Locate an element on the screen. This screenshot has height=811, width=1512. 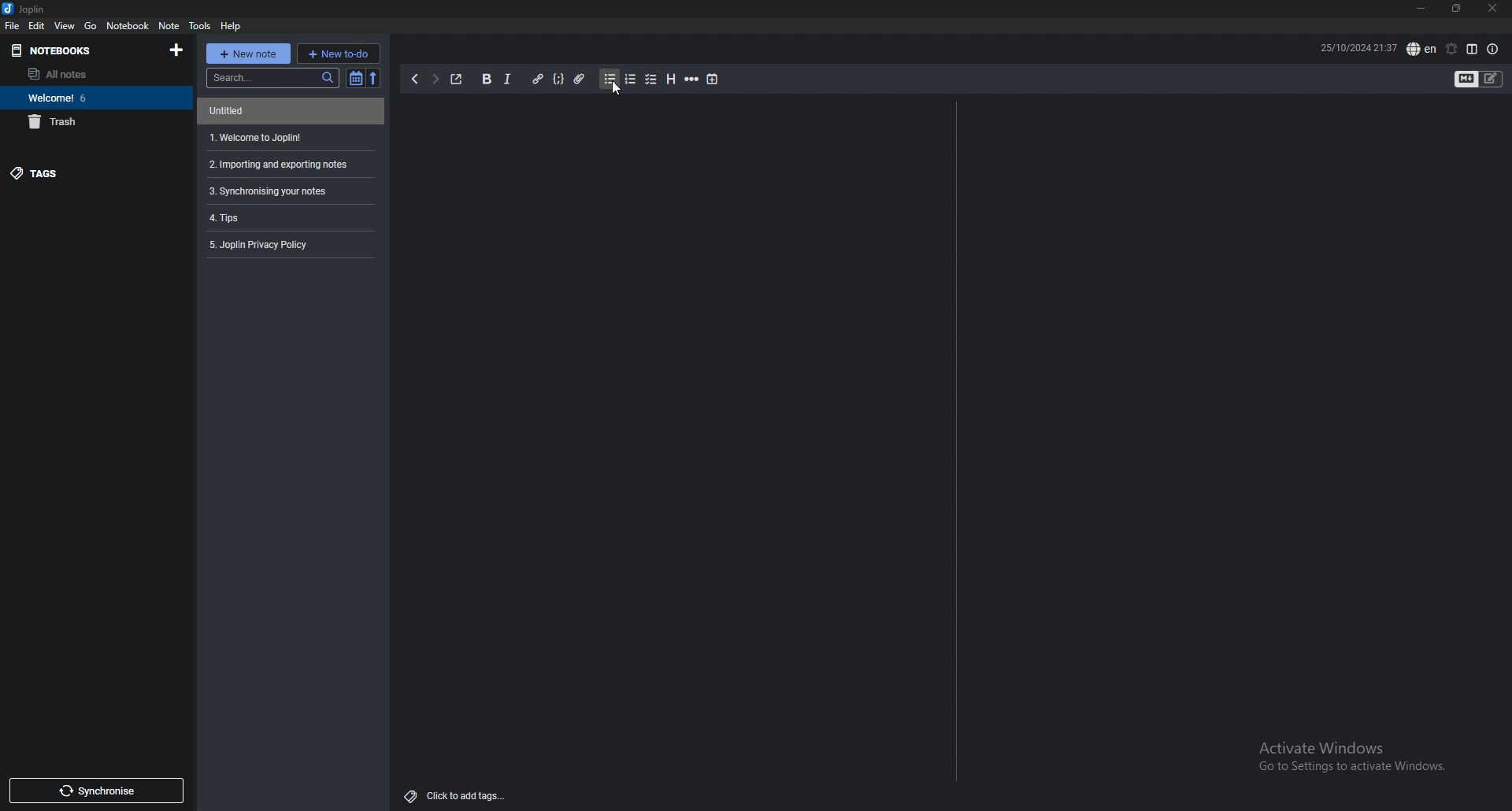
code is located at coordinates (556, 80).